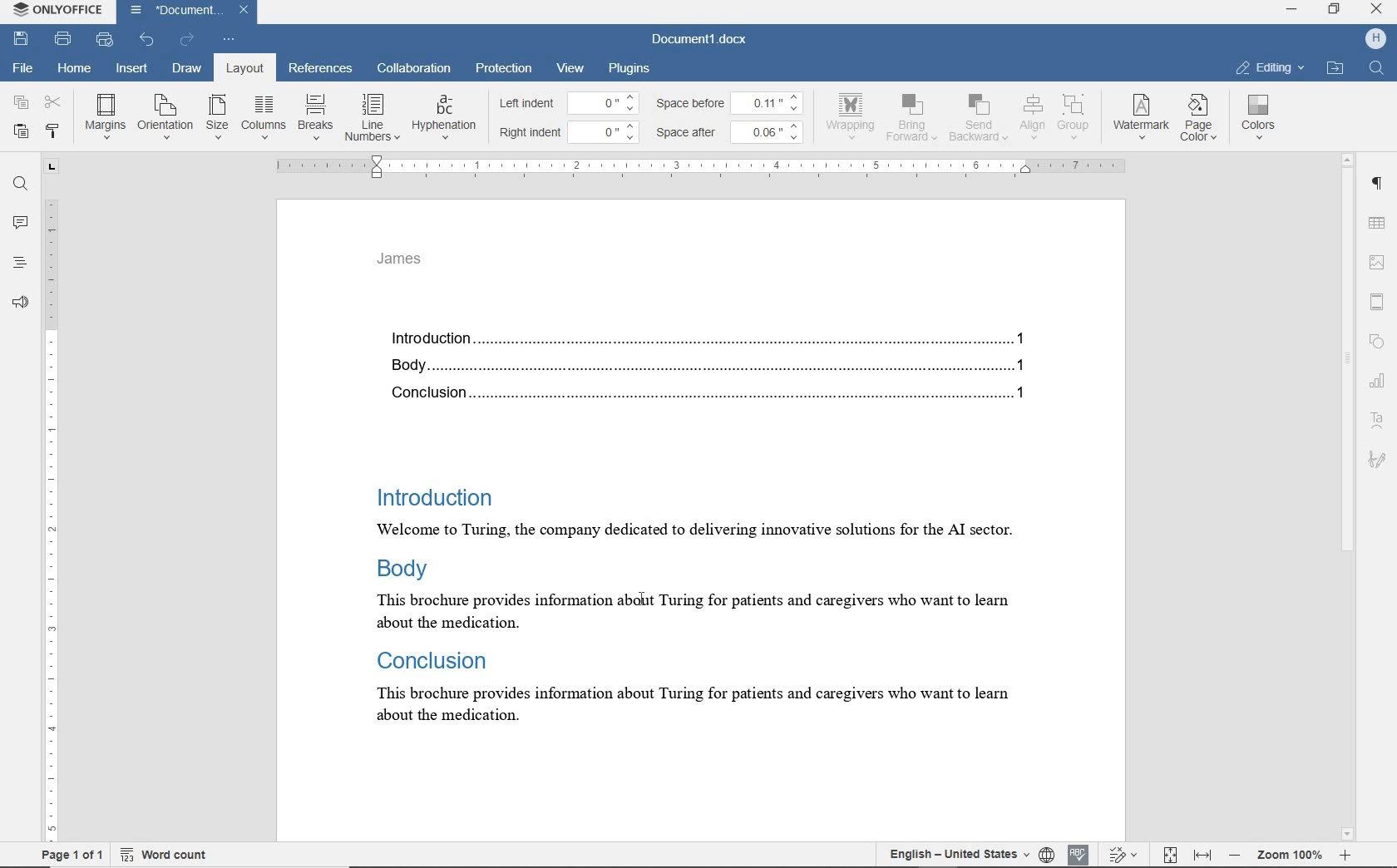 The width and height of the screenshot is (1397, 868). What do you see at coordinates (1377, 423) in the screenshot?
I see `text art` at bounding box center [1377, 423].